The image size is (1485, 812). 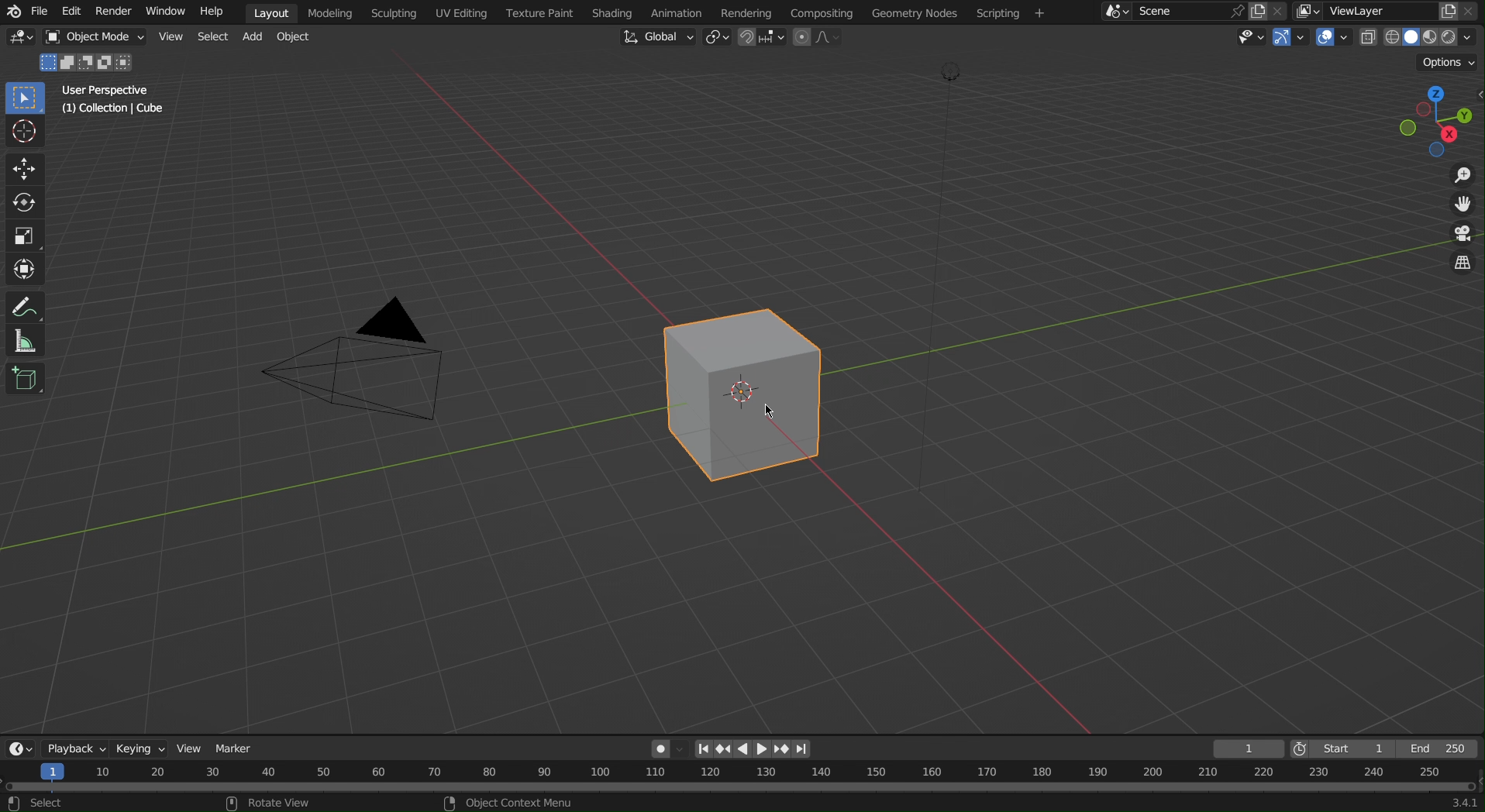 What do you see at coordinates (1247, 748) in the screenshot?
I see `Current Frame` at bounding box center [1247, 748].